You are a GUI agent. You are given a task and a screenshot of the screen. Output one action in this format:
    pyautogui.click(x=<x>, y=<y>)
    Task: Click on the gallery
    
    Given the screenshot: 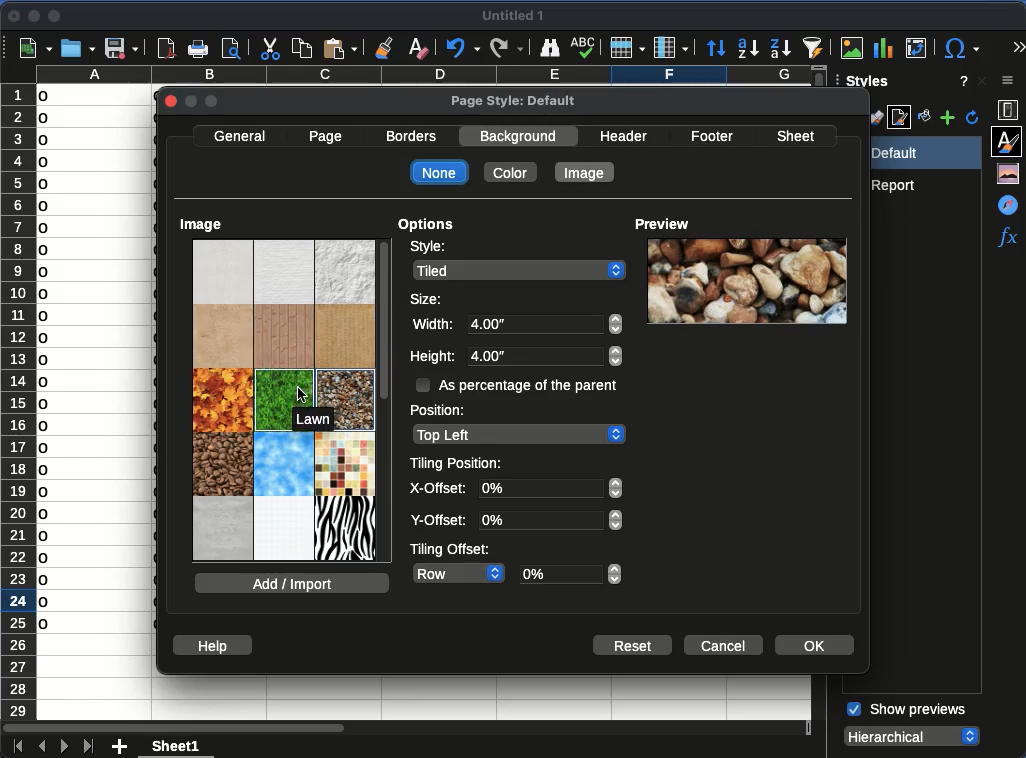 What is the action you would take?
    pyautogui.click(x=1011, y=174)
    